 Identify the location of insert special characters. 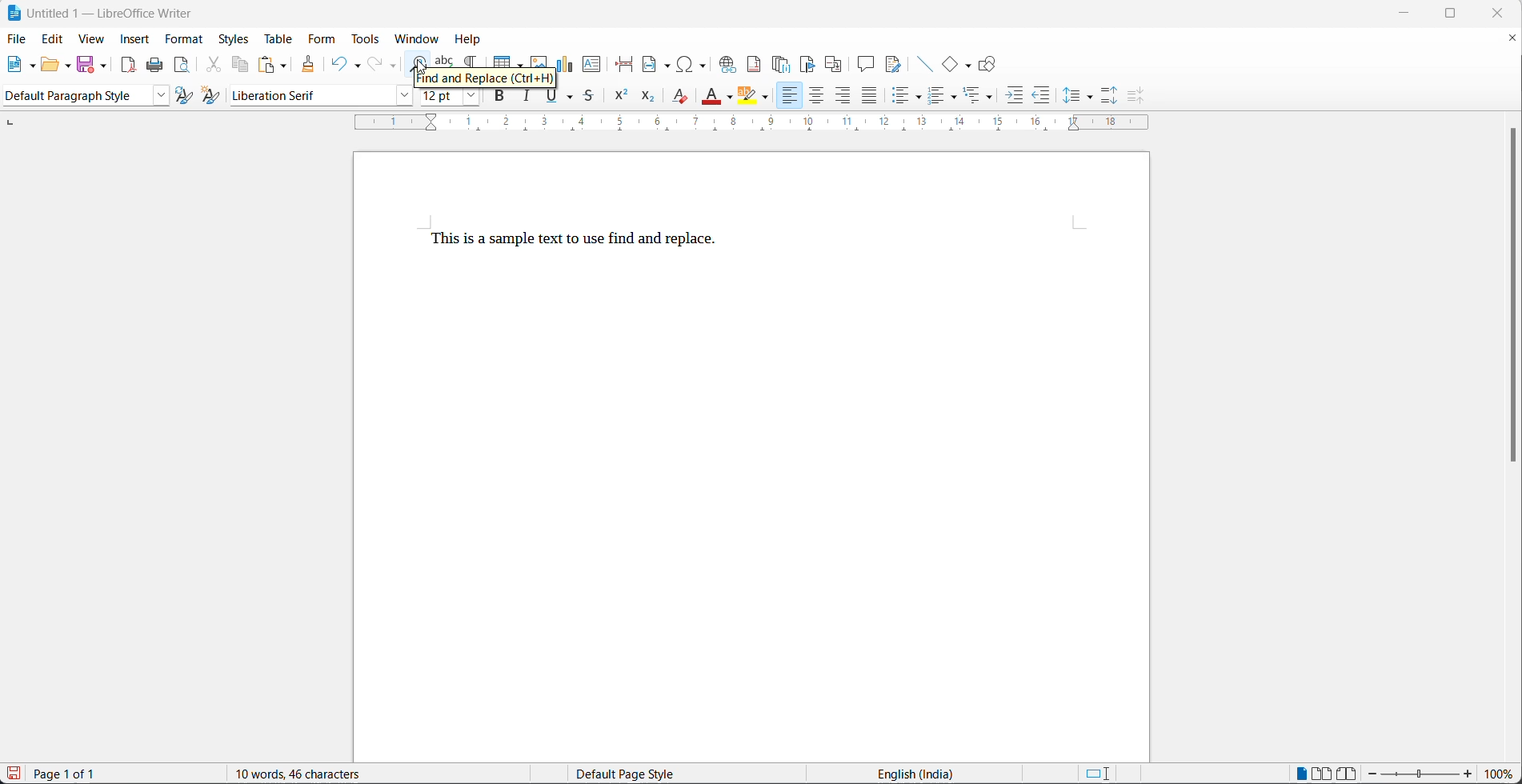
(696, 64).